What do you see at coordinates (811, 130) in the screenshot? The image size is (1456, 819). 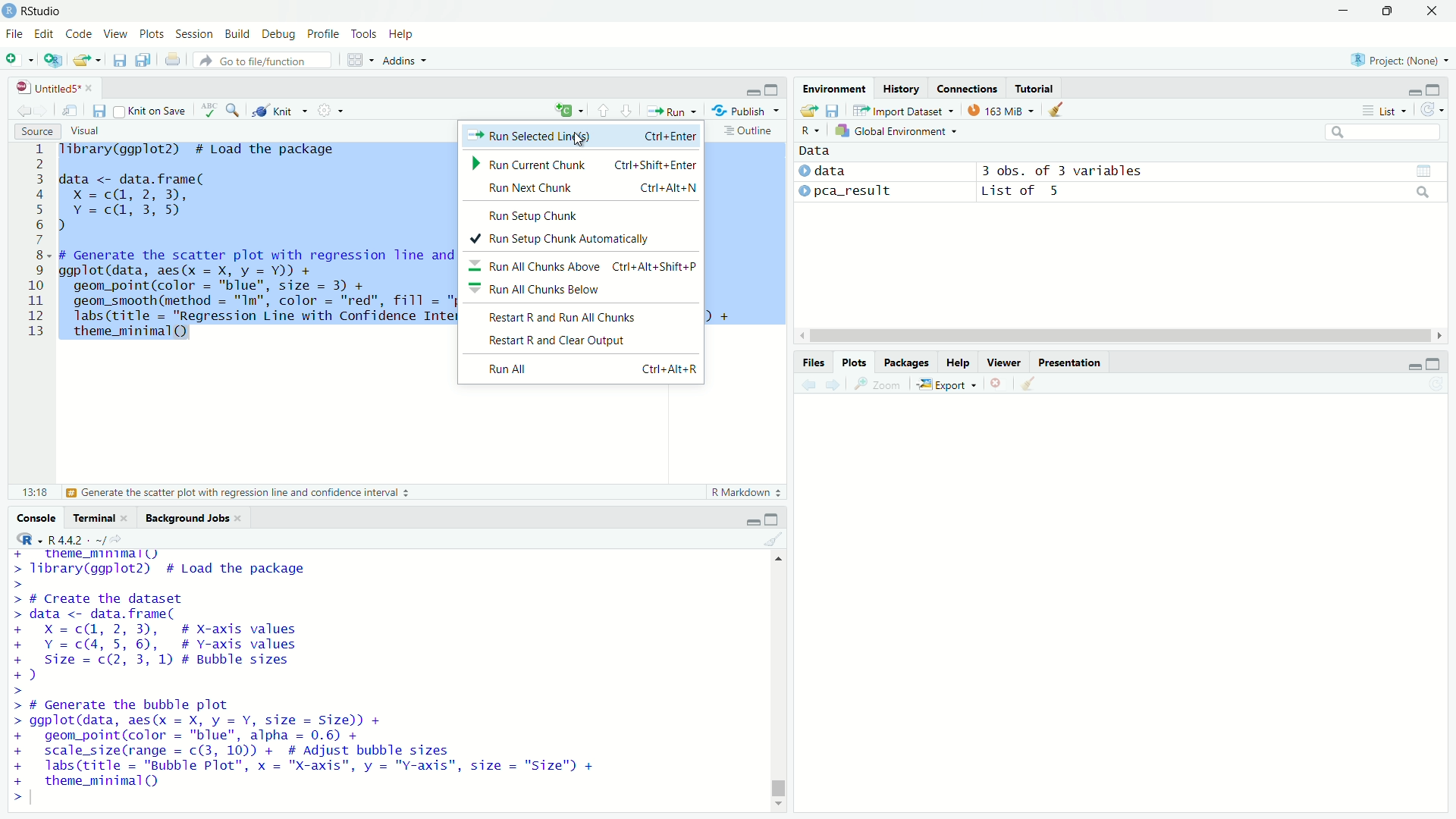 I see `R` at bounding box center [811, 130].